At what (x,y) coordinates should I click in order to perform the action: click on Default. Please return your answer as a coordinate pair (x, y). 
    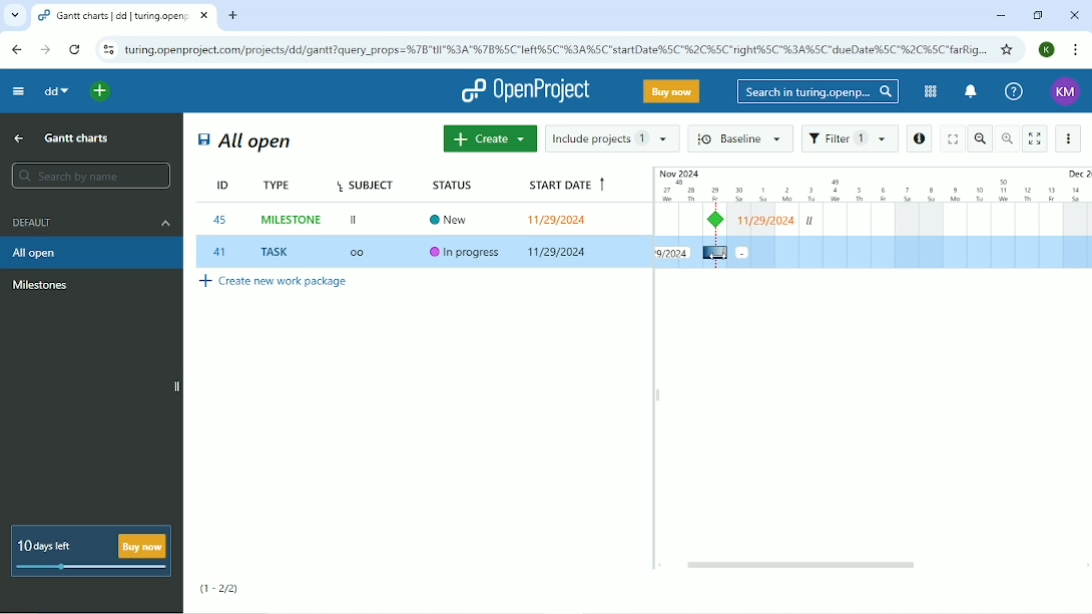
    Looking at the image, I should click on (89, 222).